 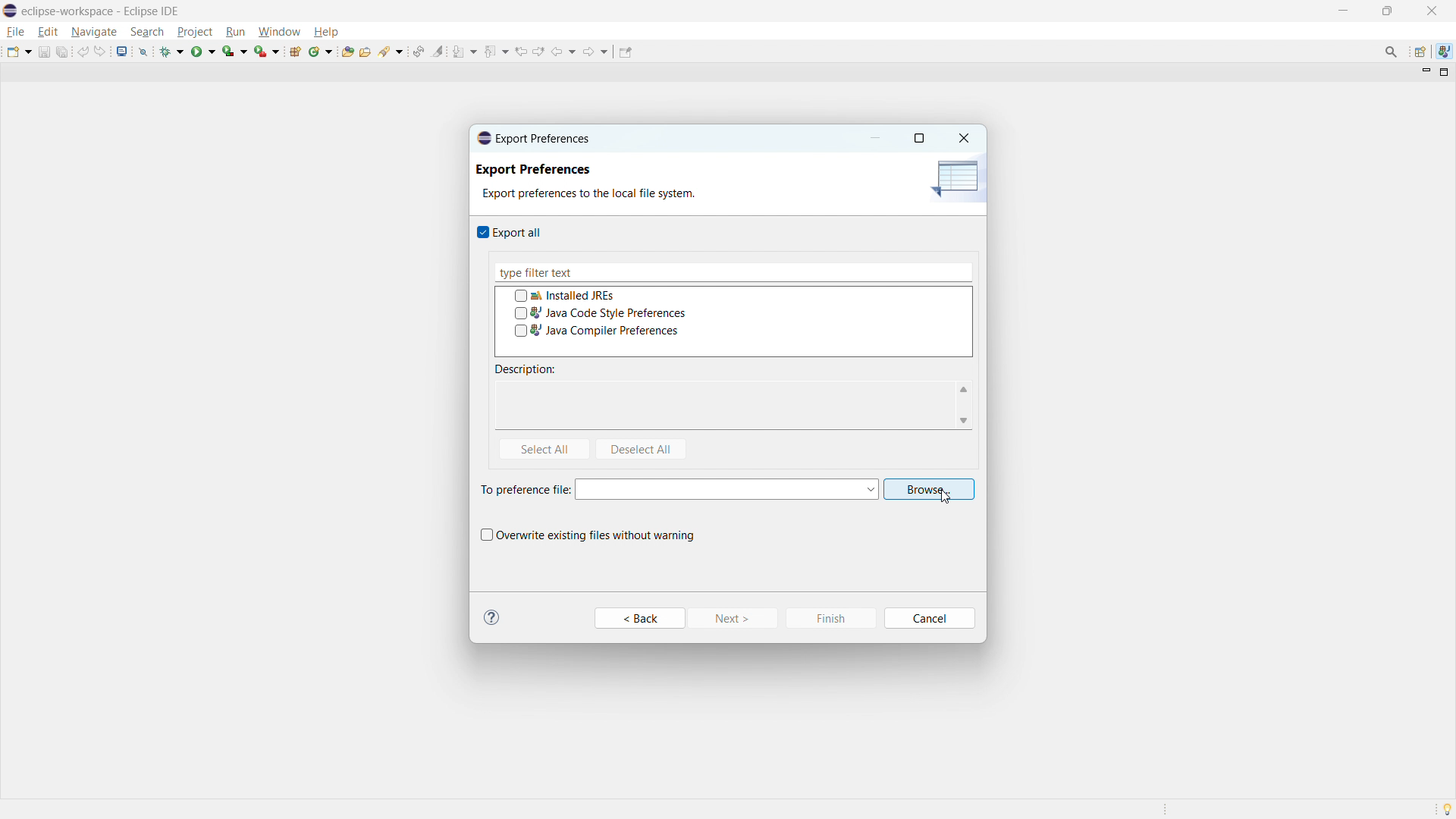 I want to click on debug, so click(x=172, y=52).